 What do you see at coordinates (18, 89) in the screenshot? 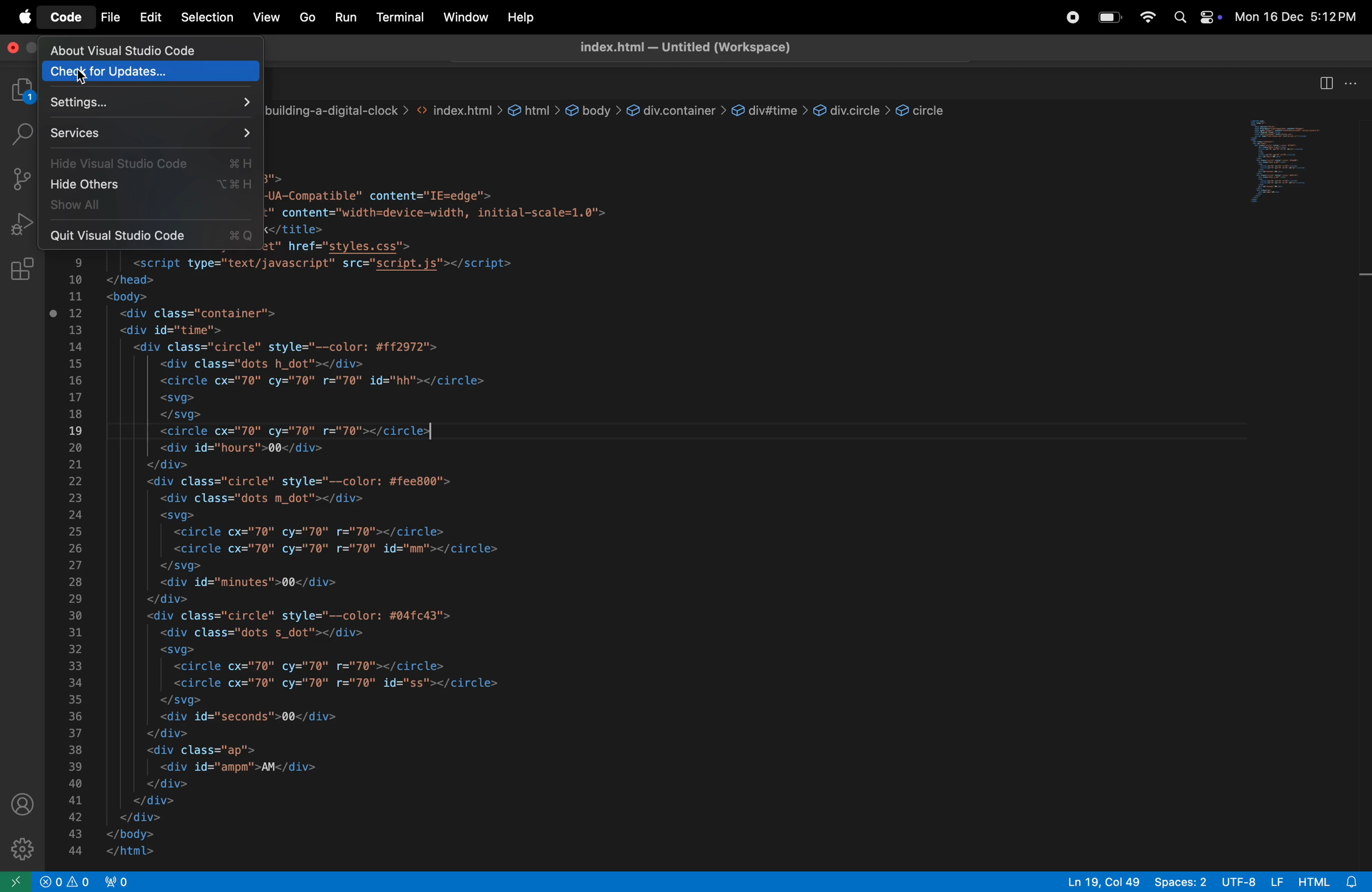
I see `explorer` at bounding box center [18, 89].